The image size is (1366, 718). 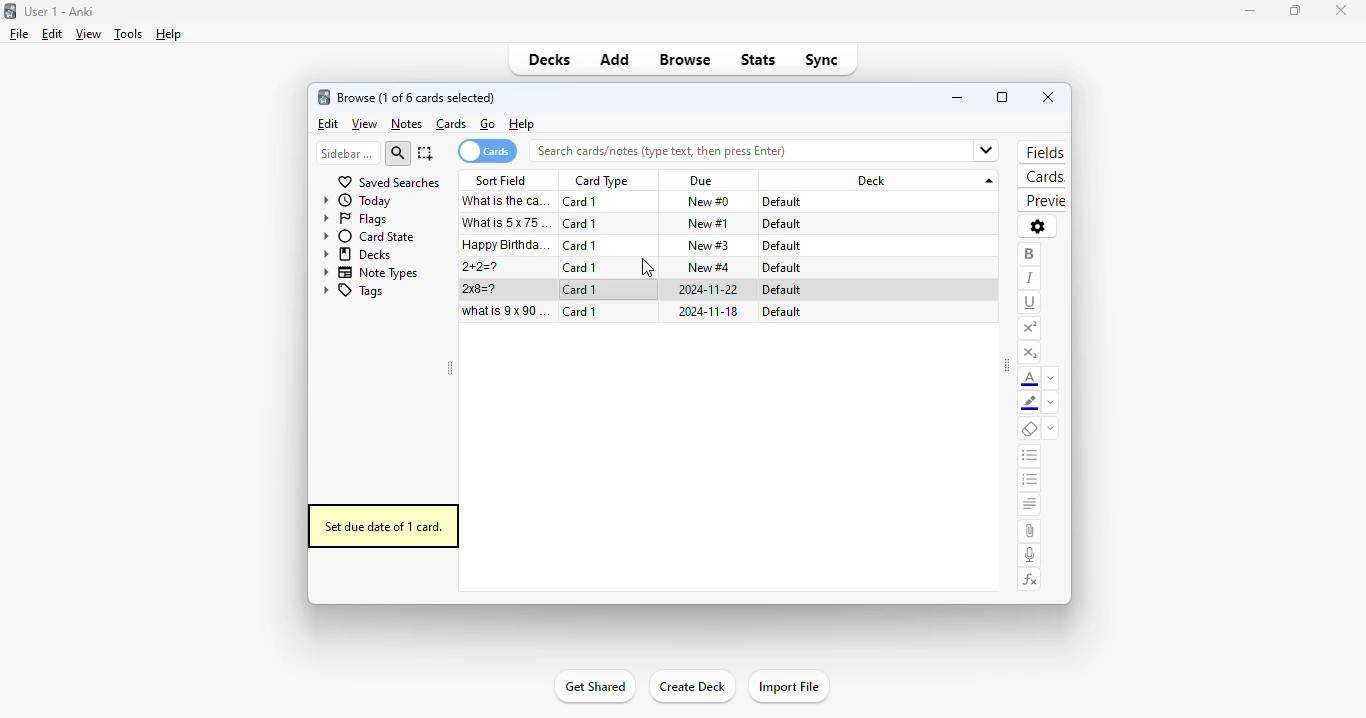 What do you see at coordinates (1030, 302) in the screenshot?
I see `underline` at bounding box center [1030, 302].